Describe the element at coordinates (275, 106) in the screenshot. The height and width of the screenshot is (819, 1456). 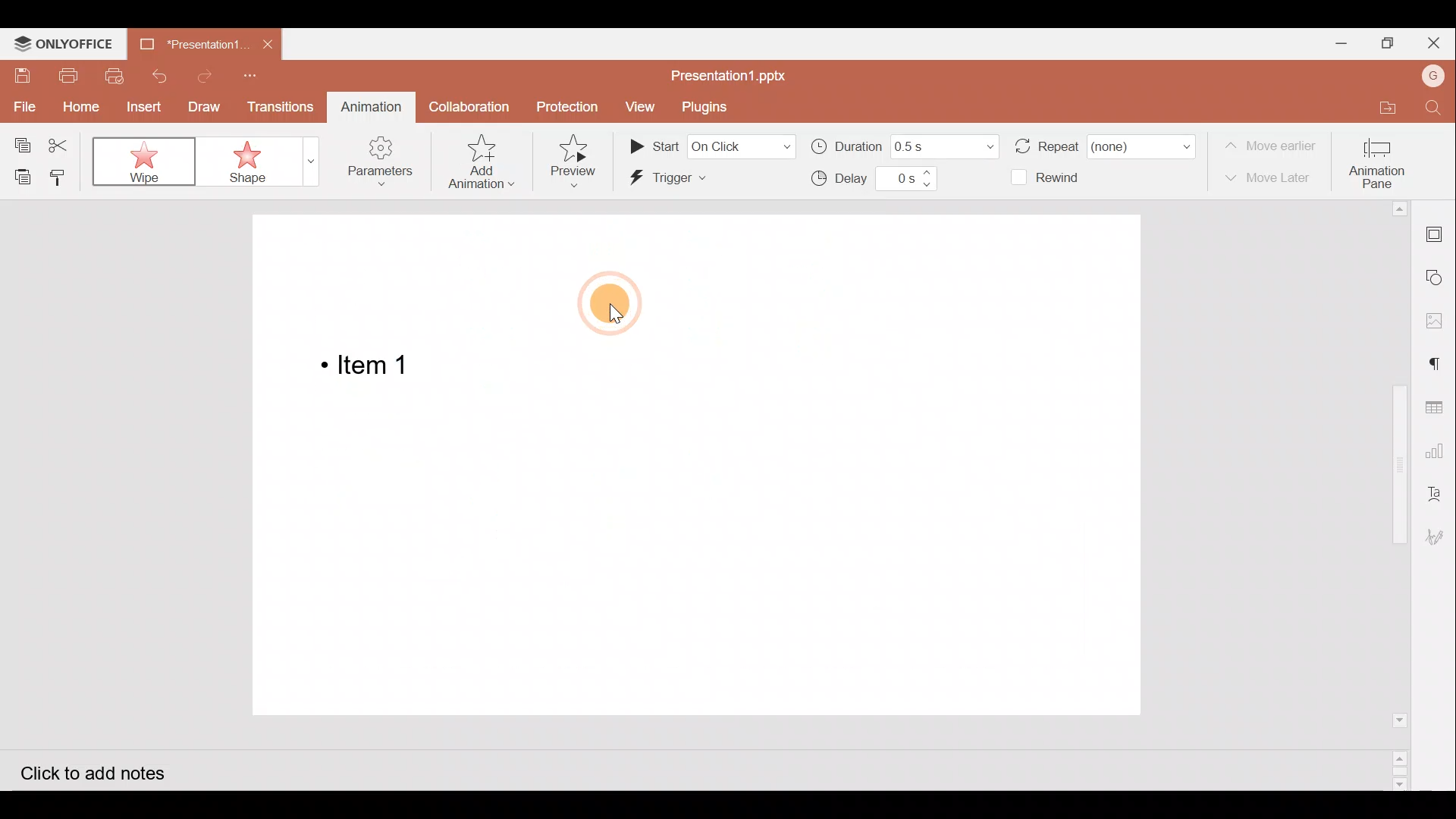
I see `Transitions` at that location.